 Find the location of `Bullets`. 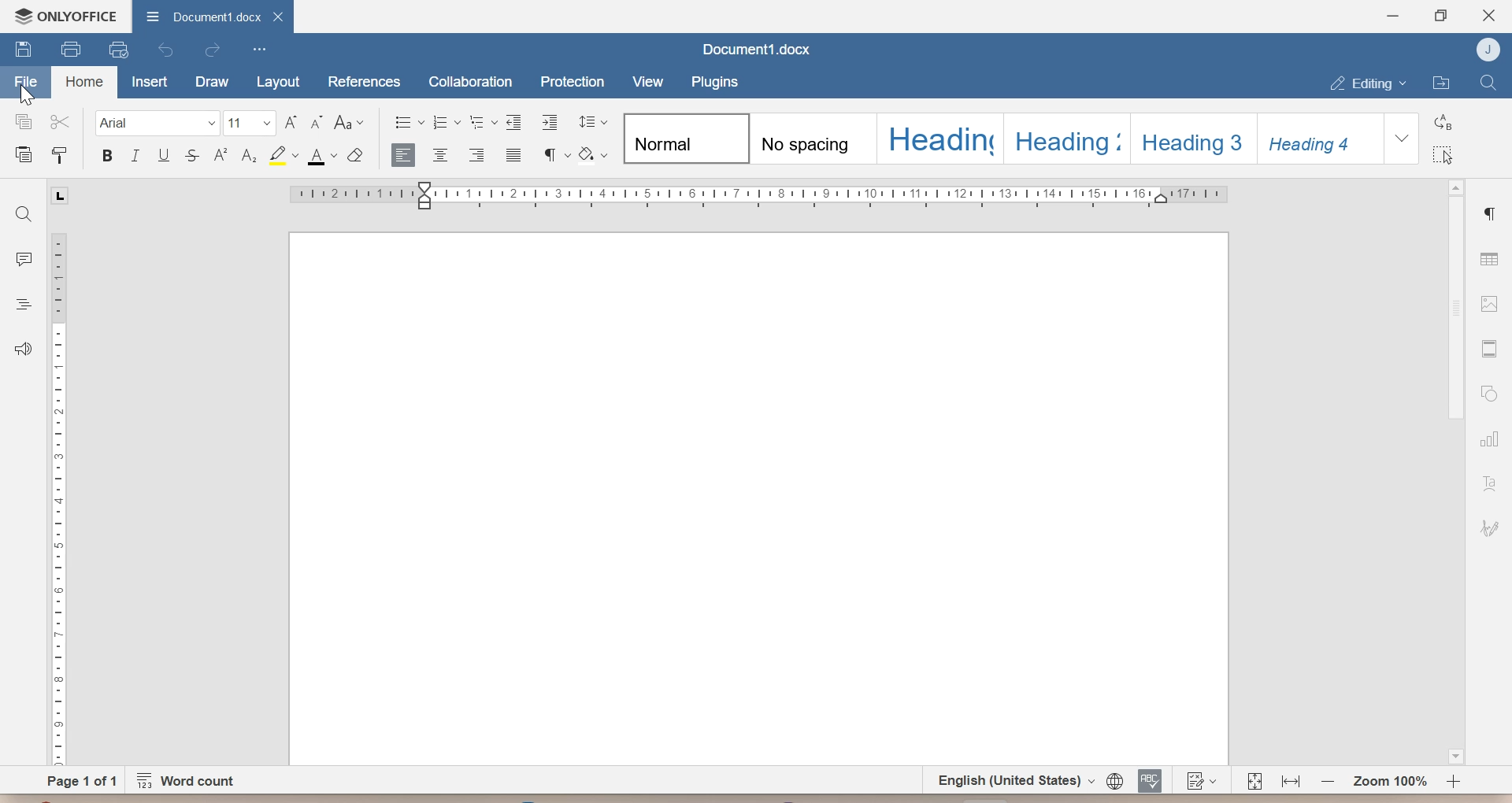

Bullets is located at coordinates (409, 123).